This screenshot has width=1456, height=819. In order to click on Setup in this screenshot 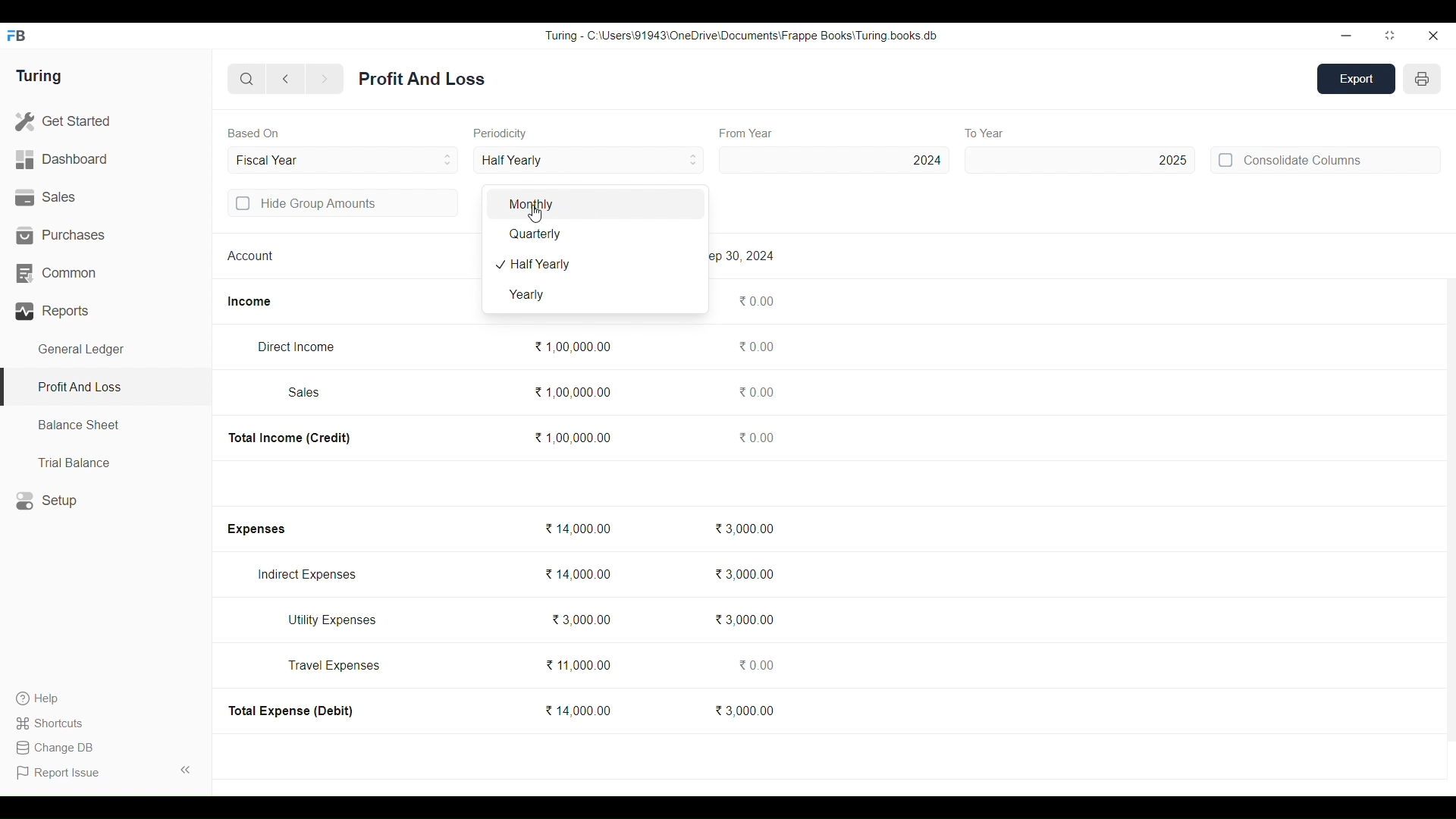, I will do `click(106, 500)`.